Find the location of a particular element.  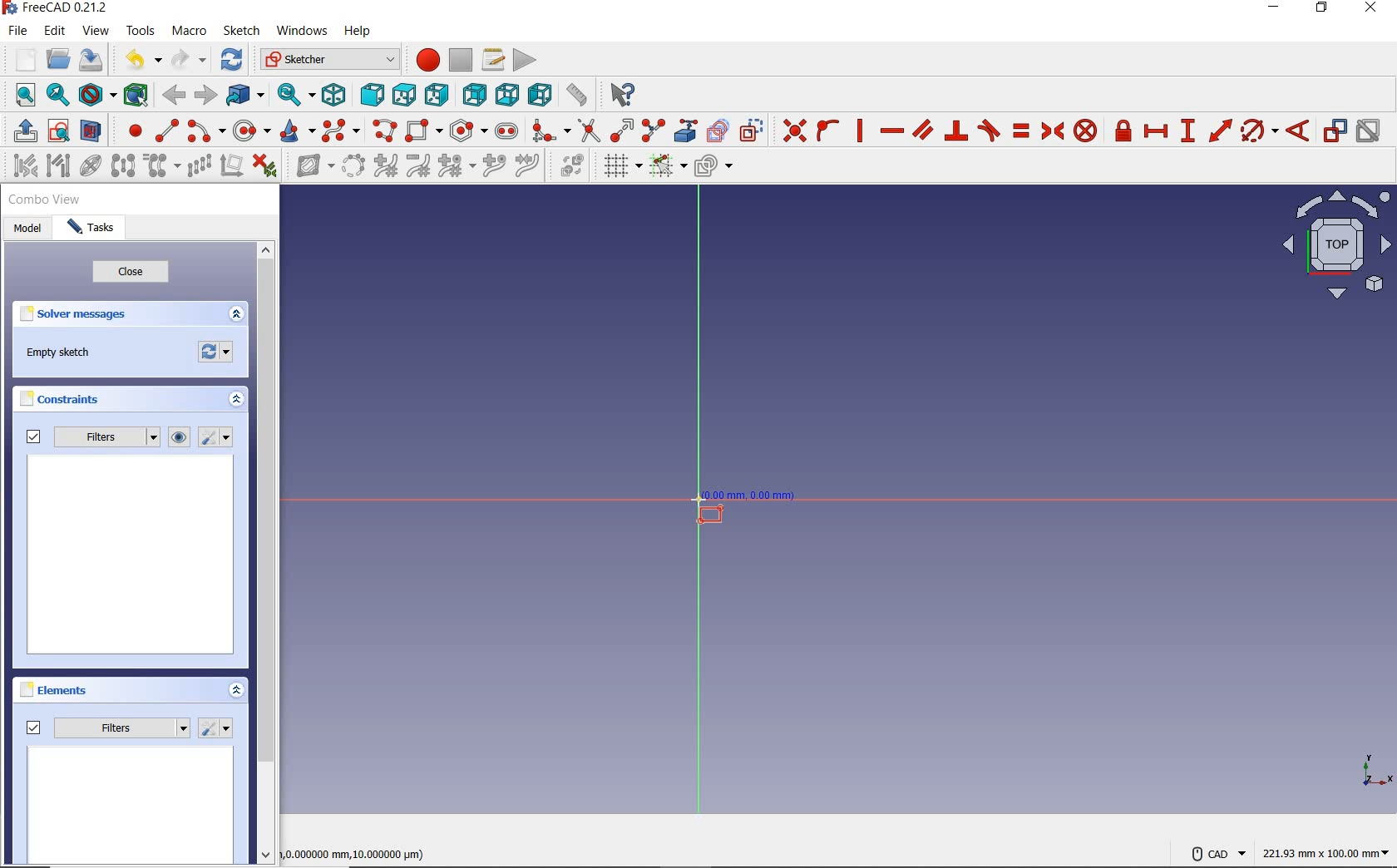

filters is located at coordinates (91, 438).